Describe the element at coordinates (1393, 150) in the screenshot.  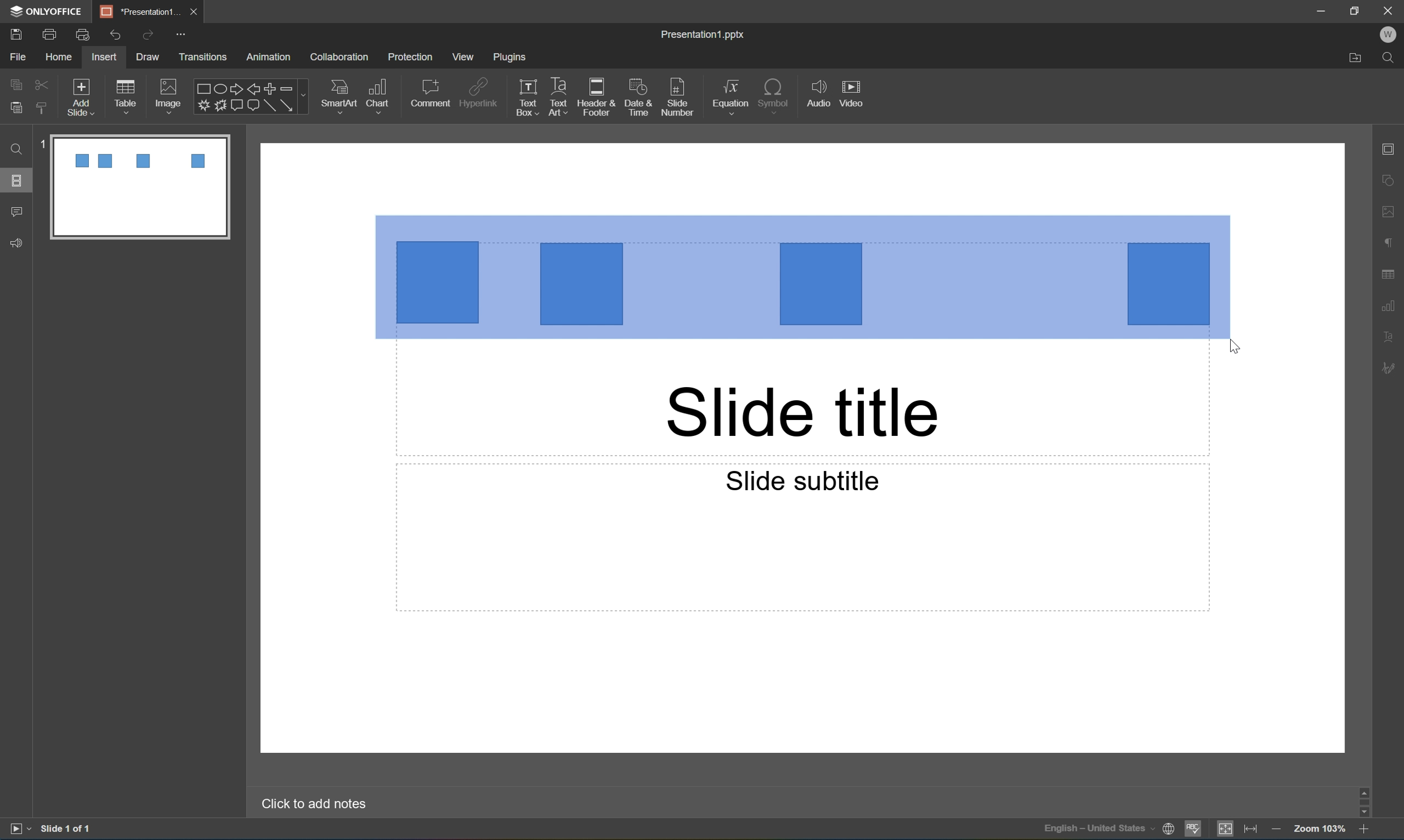
I see `slide settings` at that location.